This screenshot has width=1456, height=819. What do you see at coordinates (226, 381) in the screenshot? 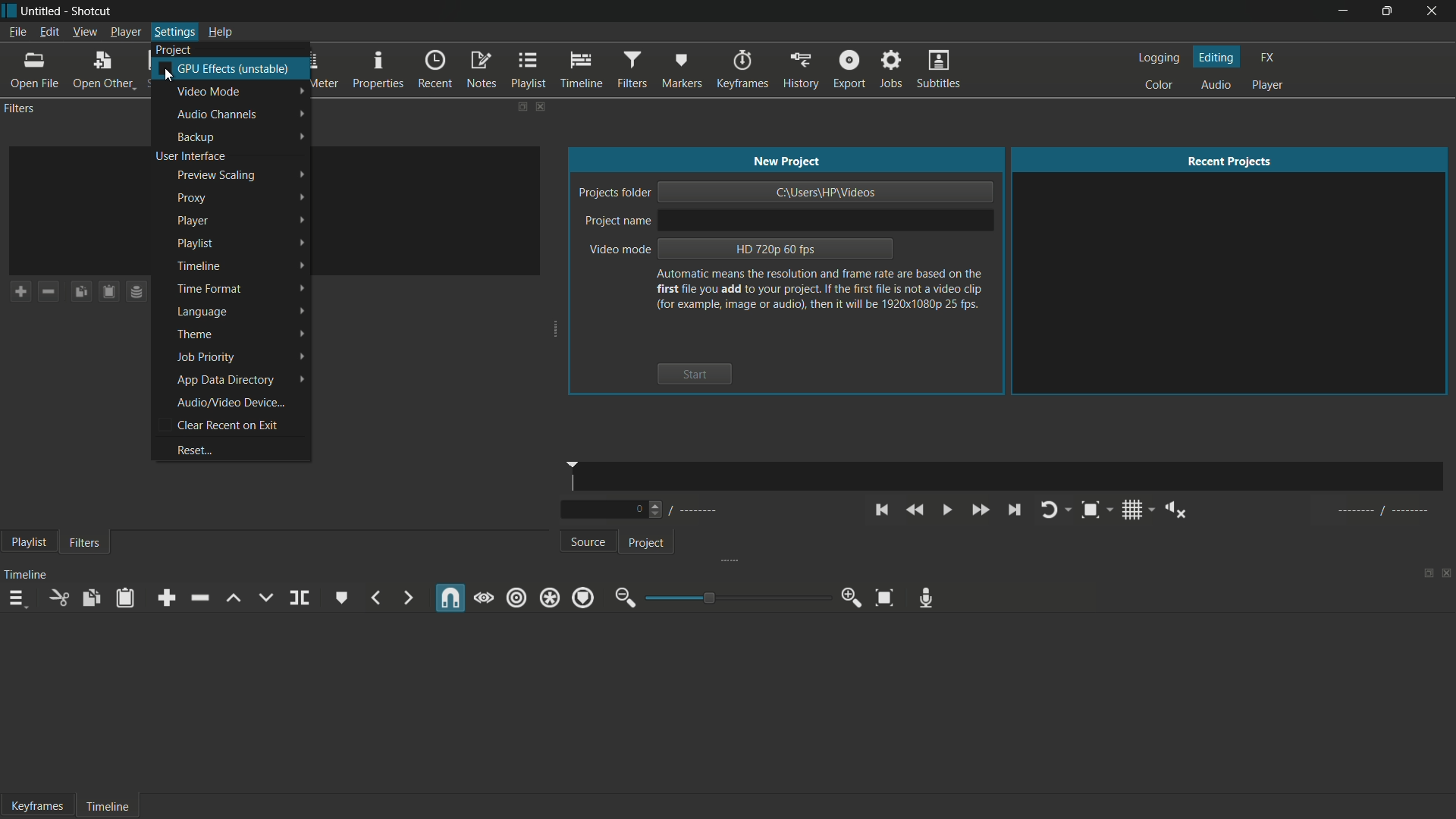
I see `app data directory` at bounding box center [226, 381].